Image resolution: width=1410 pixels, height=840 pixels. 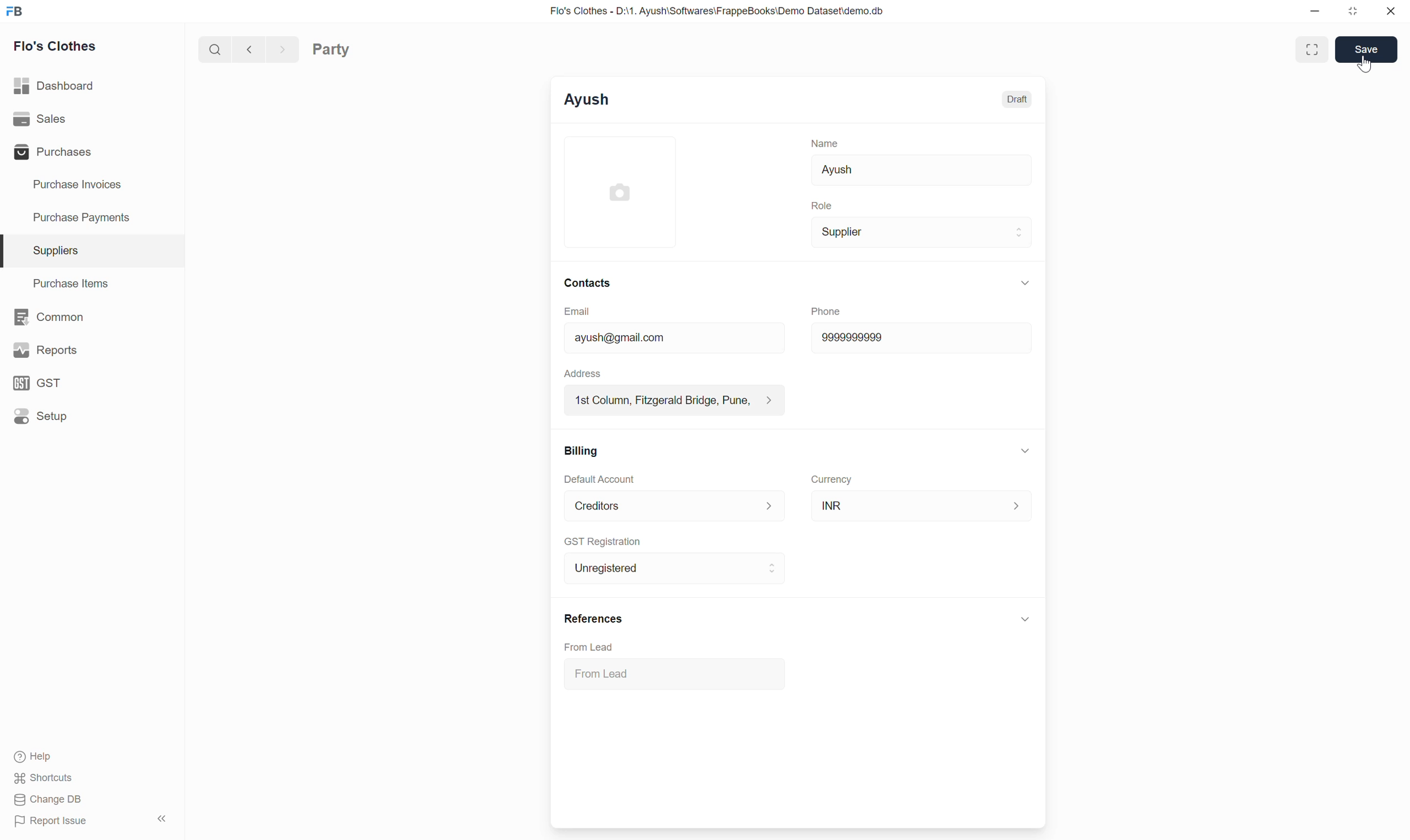 I want to click on Name, so click(x=824, y=143).